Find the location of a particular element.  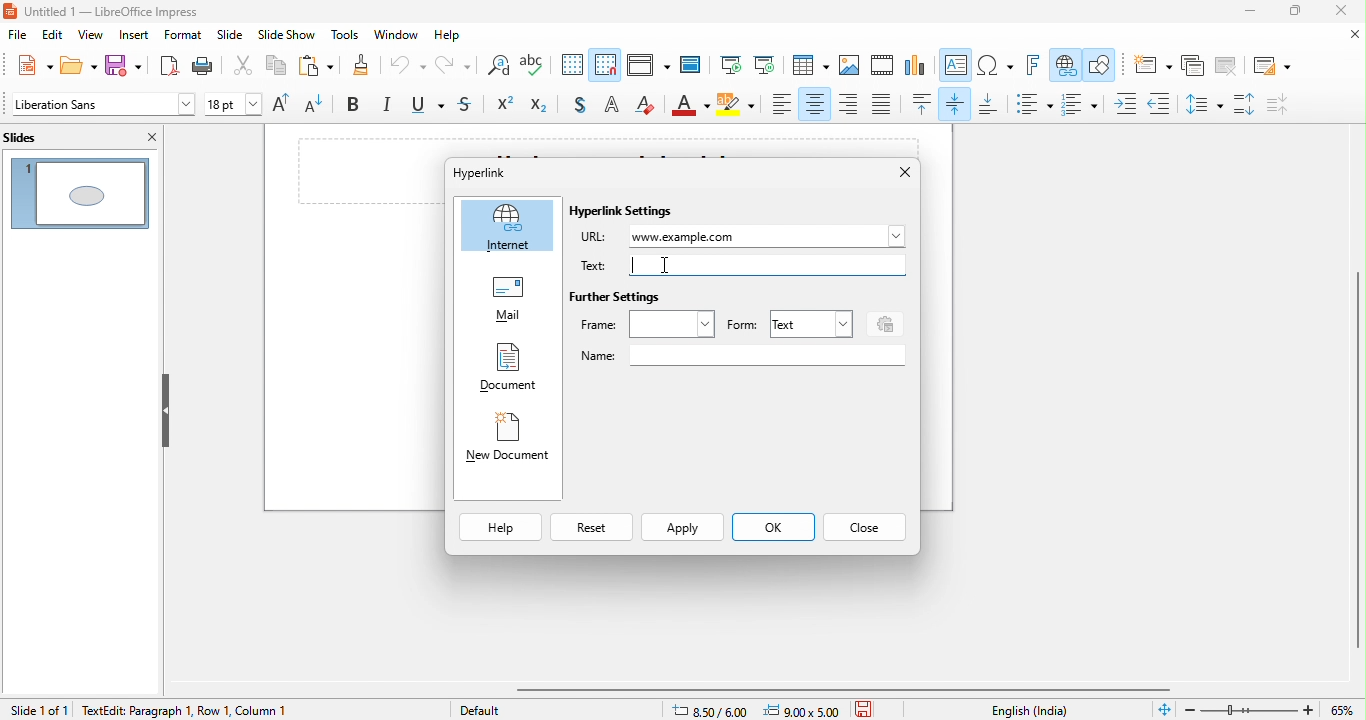

form is located at coordinates (742, 326).